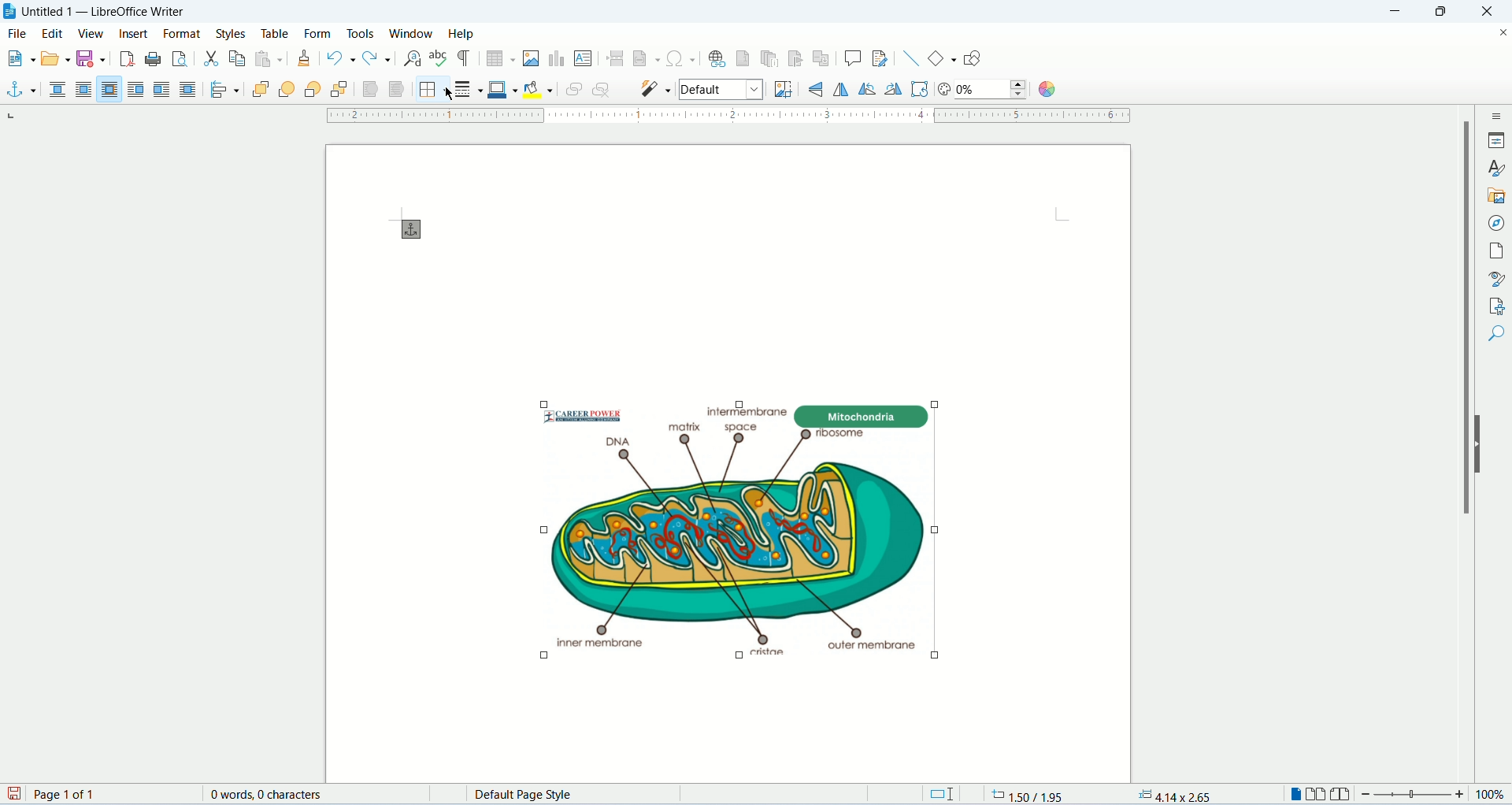  I want to click on Cursor, so click(450, 95).